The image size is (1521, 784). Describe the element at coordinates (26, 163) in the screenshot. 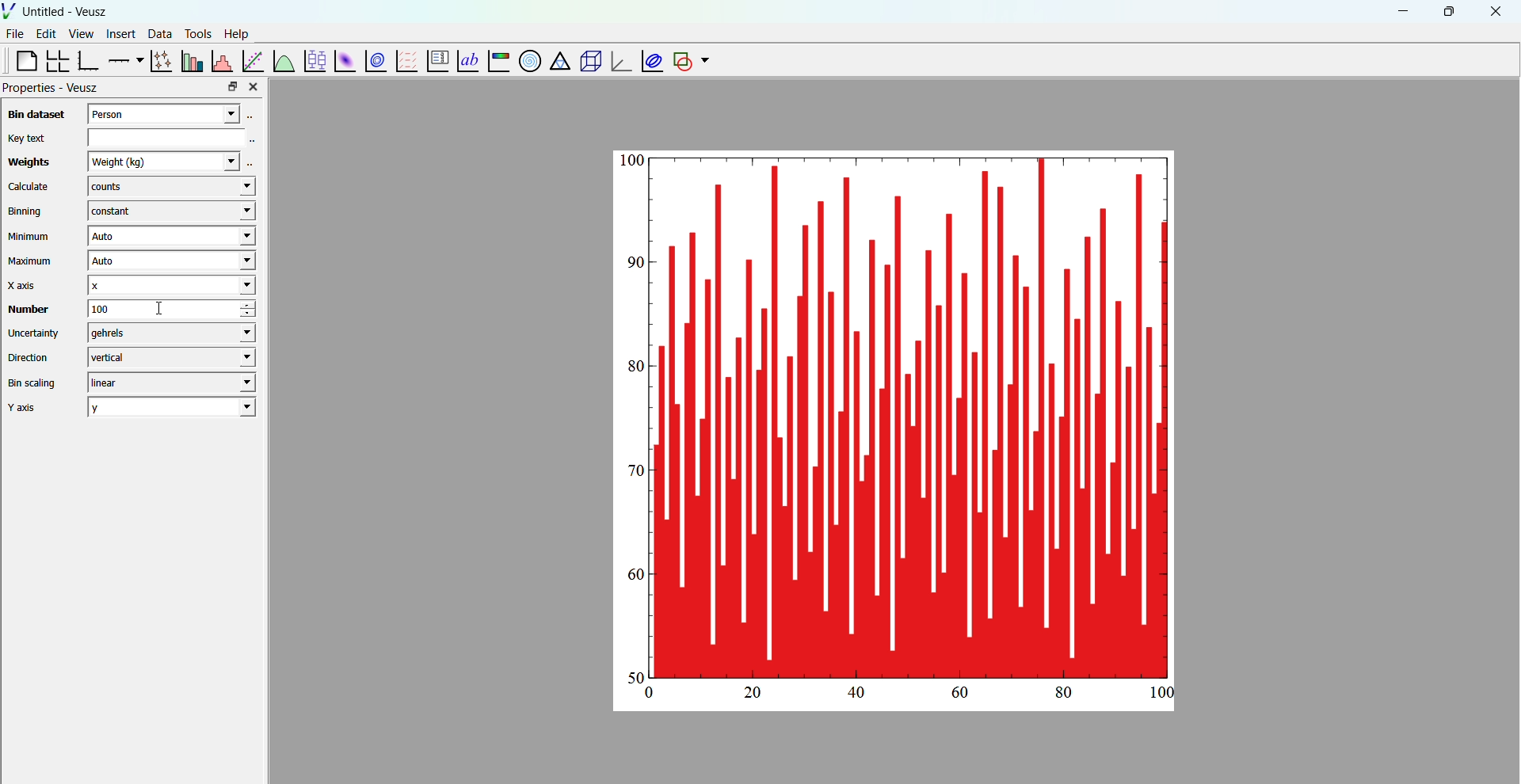

I see `Weights` at that location.